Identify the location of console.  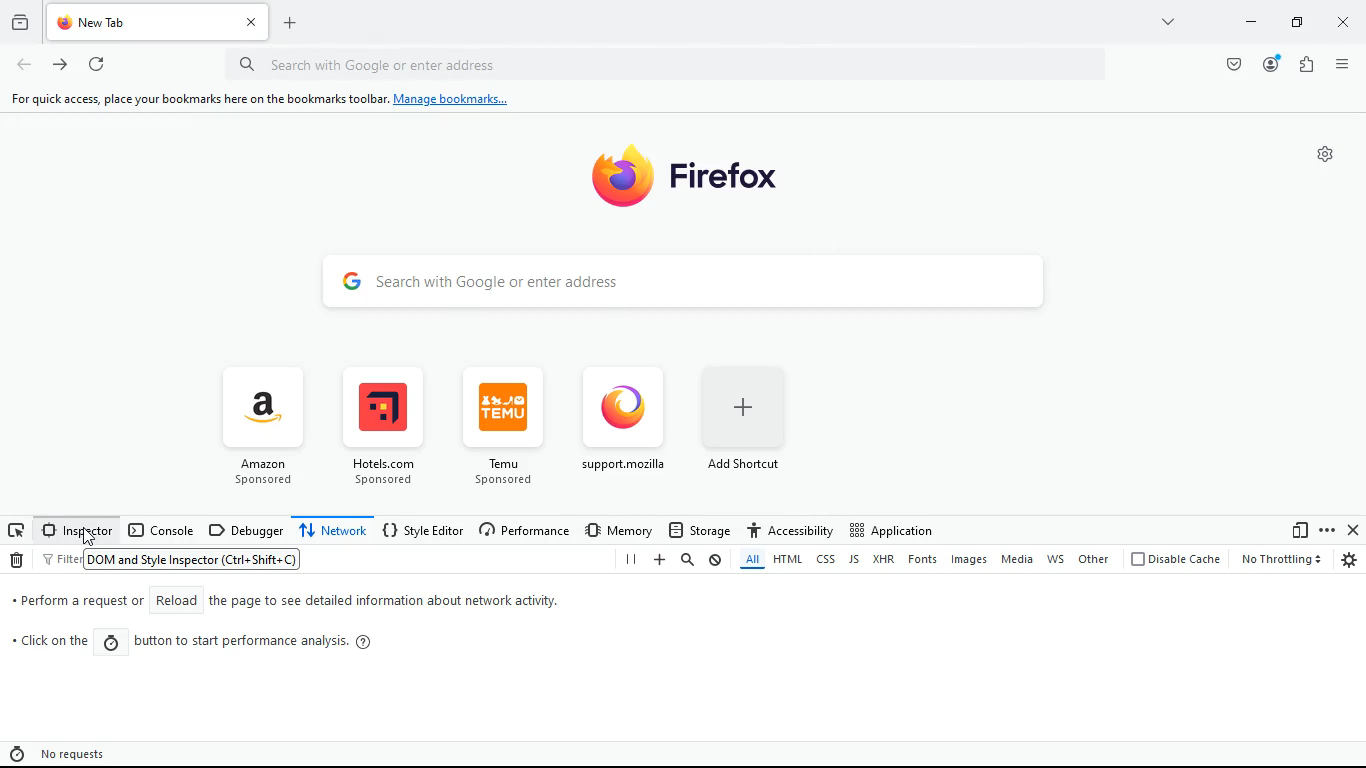
(161, 532).